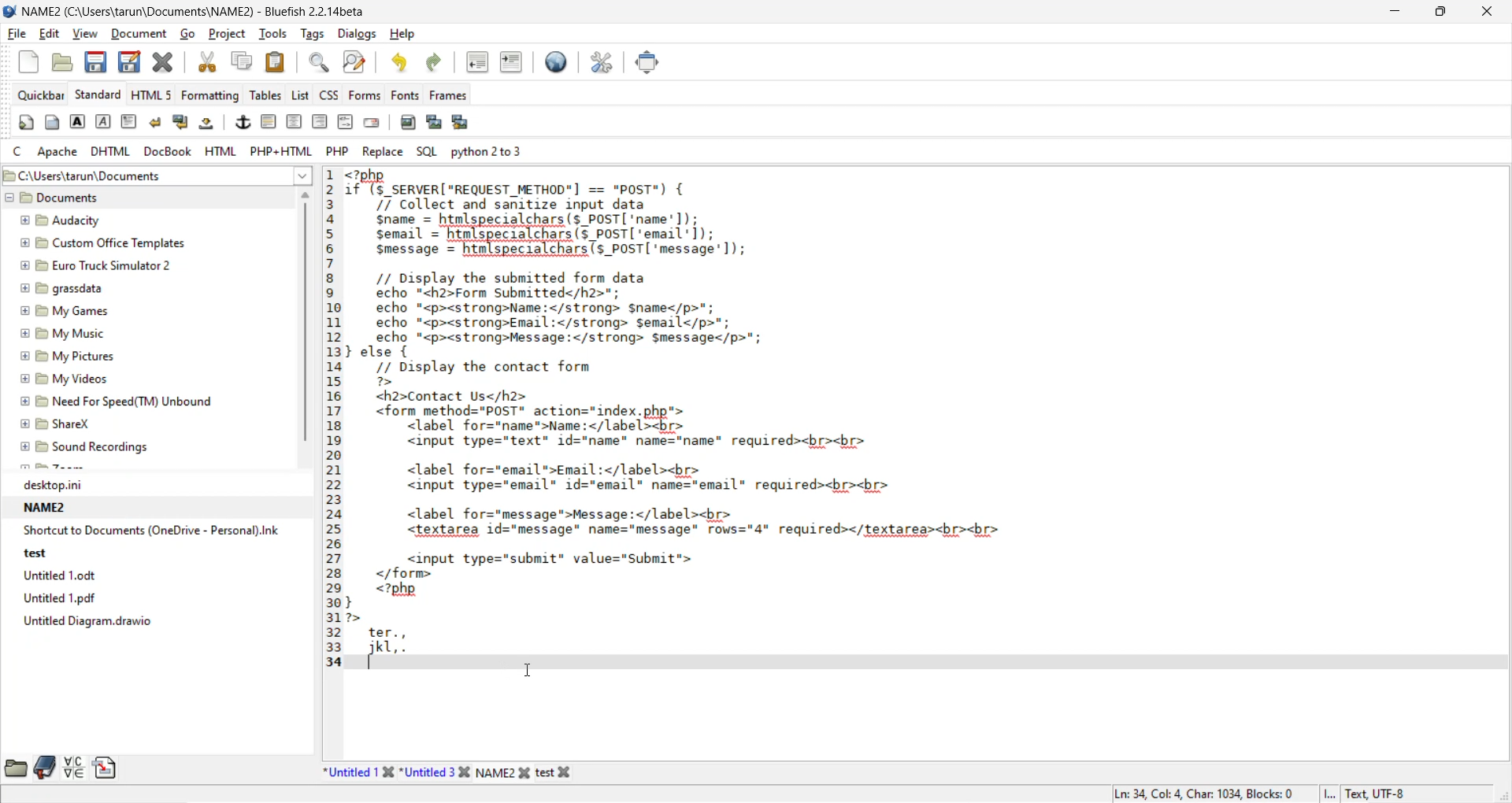 The image size is (1512, 803). What do you see at coordinates (244, 124) in the screenshot?
I see `anchor` at bounding box center [244, 124].